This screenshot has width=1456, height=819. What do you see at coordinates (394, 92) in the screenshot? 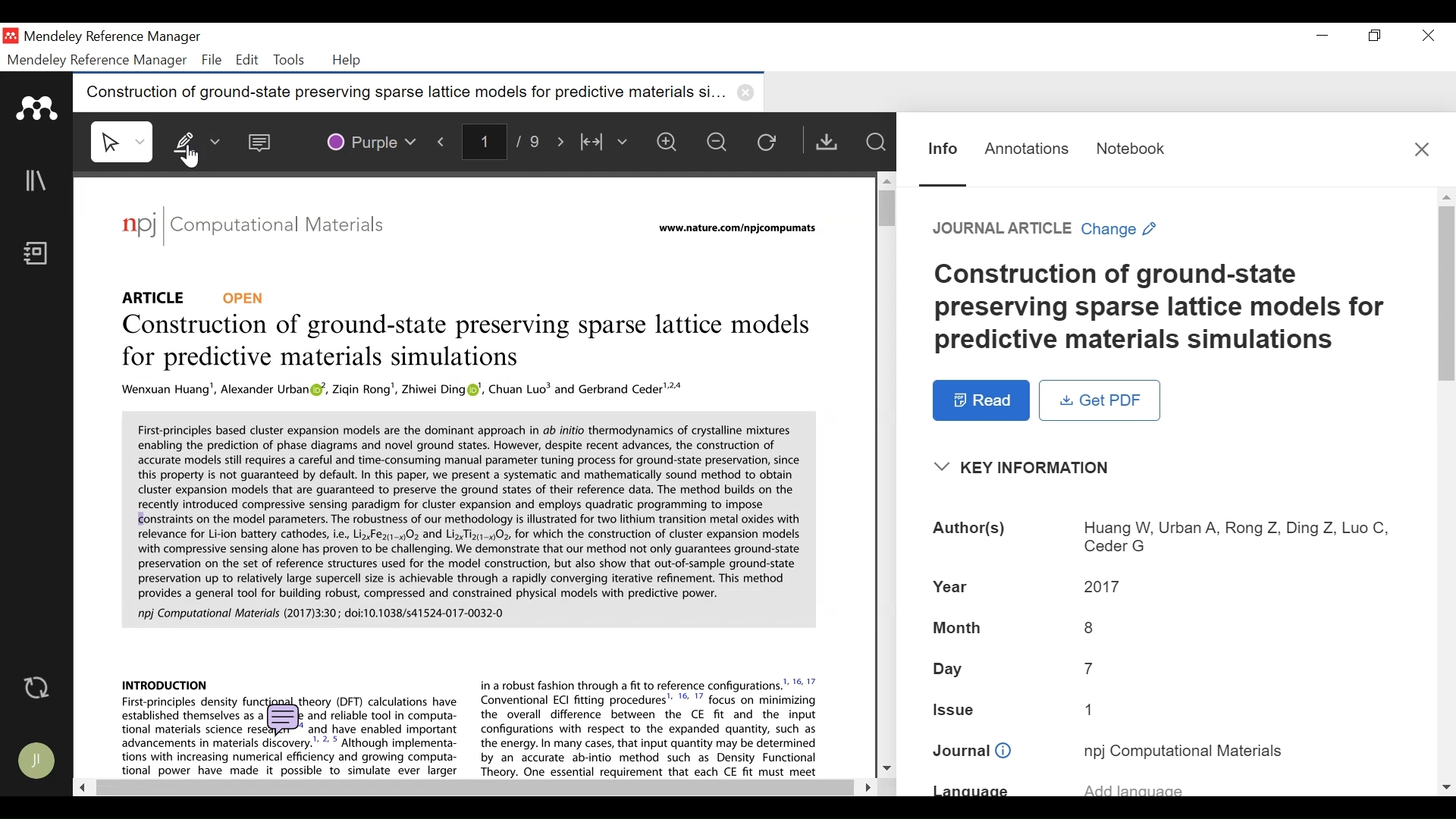
I see `Current tab` at bounding box center [394, 92].